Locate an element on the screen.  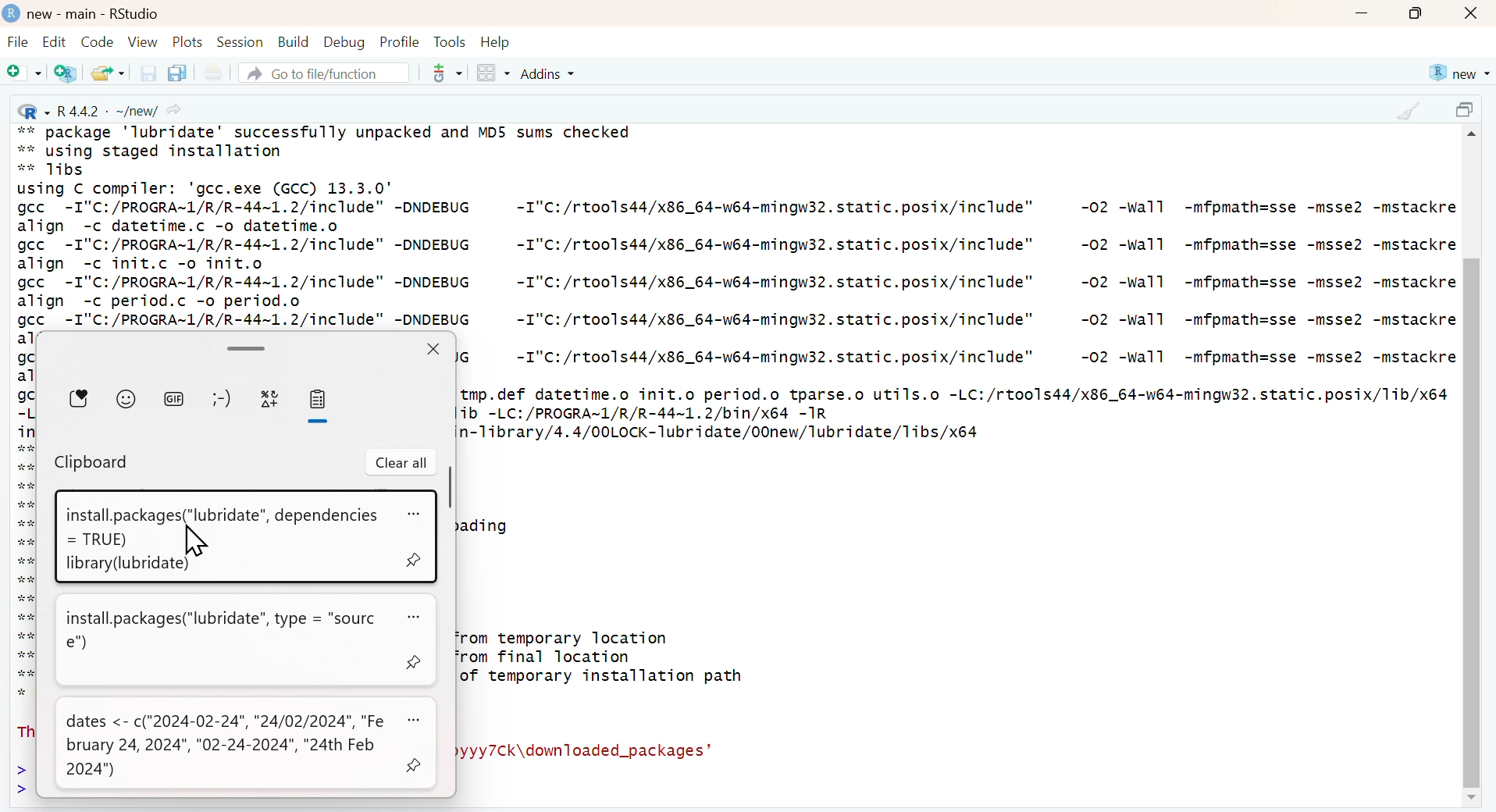
maximize is located at coordinates (1468, 112).